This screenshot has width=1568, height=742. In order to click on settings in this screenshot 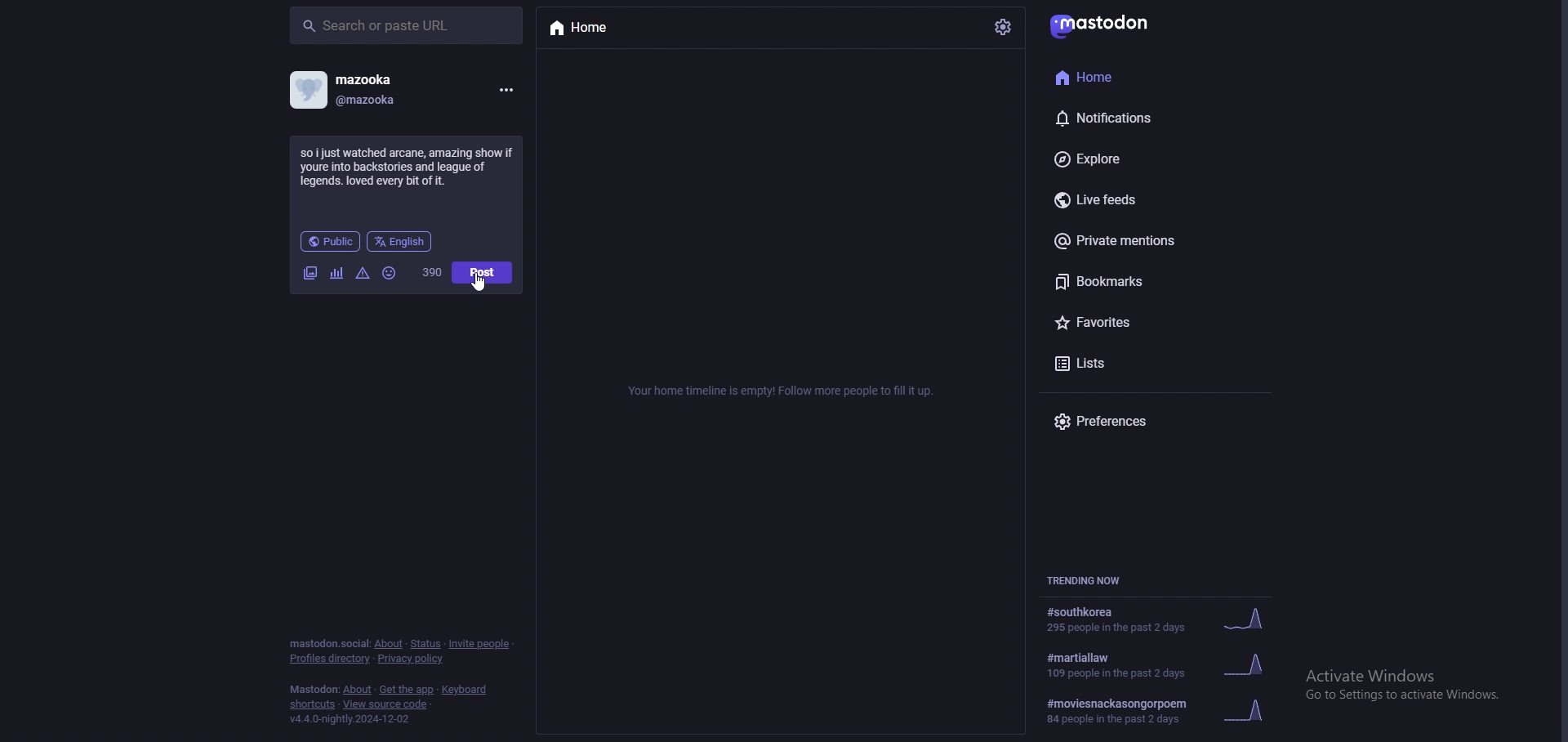, I will do `click(1004, 27)`.